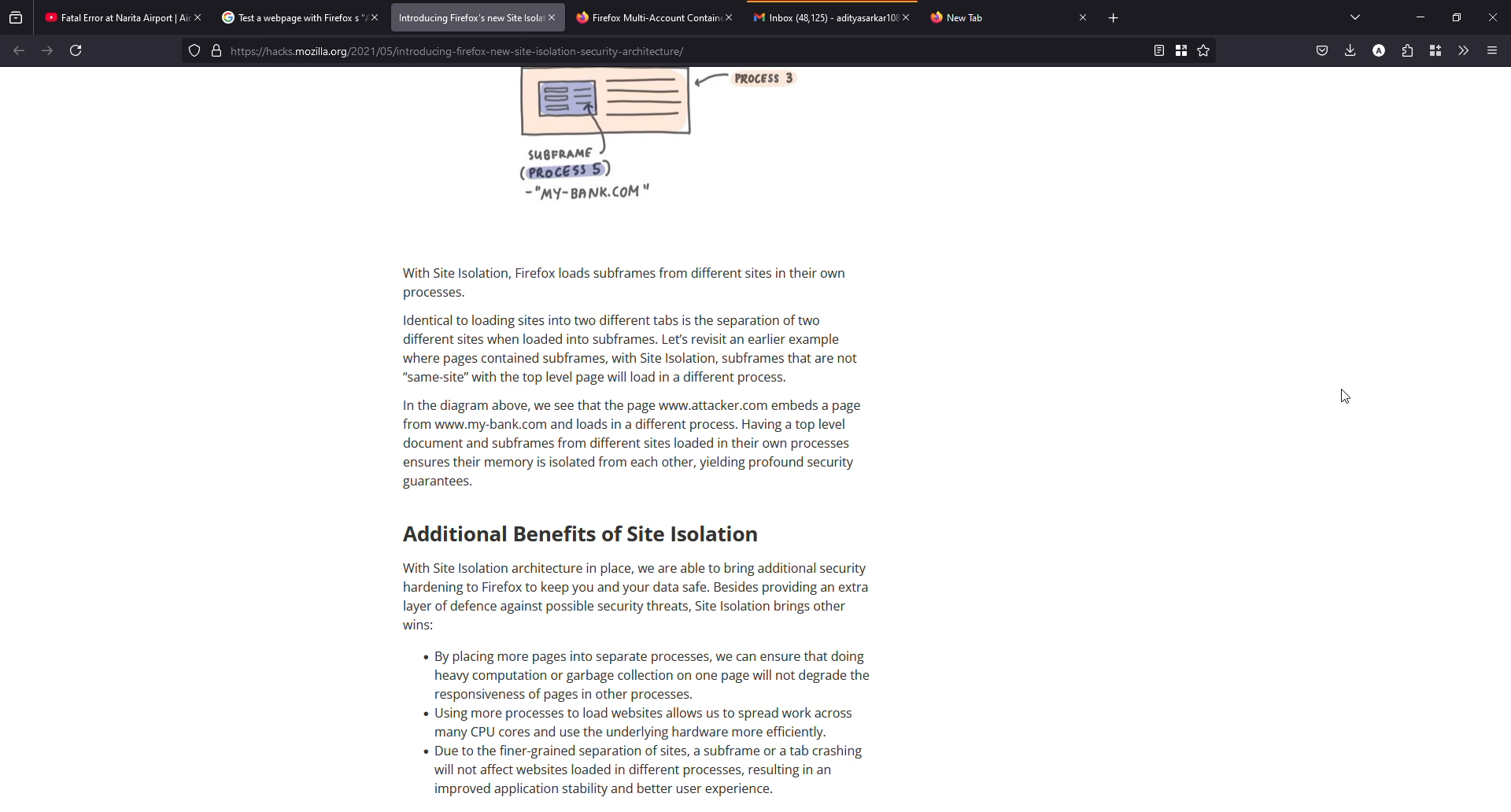 This screenshot has width=1511, height=812. I want to click on Inbox (48,125) - adityasarkar1, so click(822, 17).